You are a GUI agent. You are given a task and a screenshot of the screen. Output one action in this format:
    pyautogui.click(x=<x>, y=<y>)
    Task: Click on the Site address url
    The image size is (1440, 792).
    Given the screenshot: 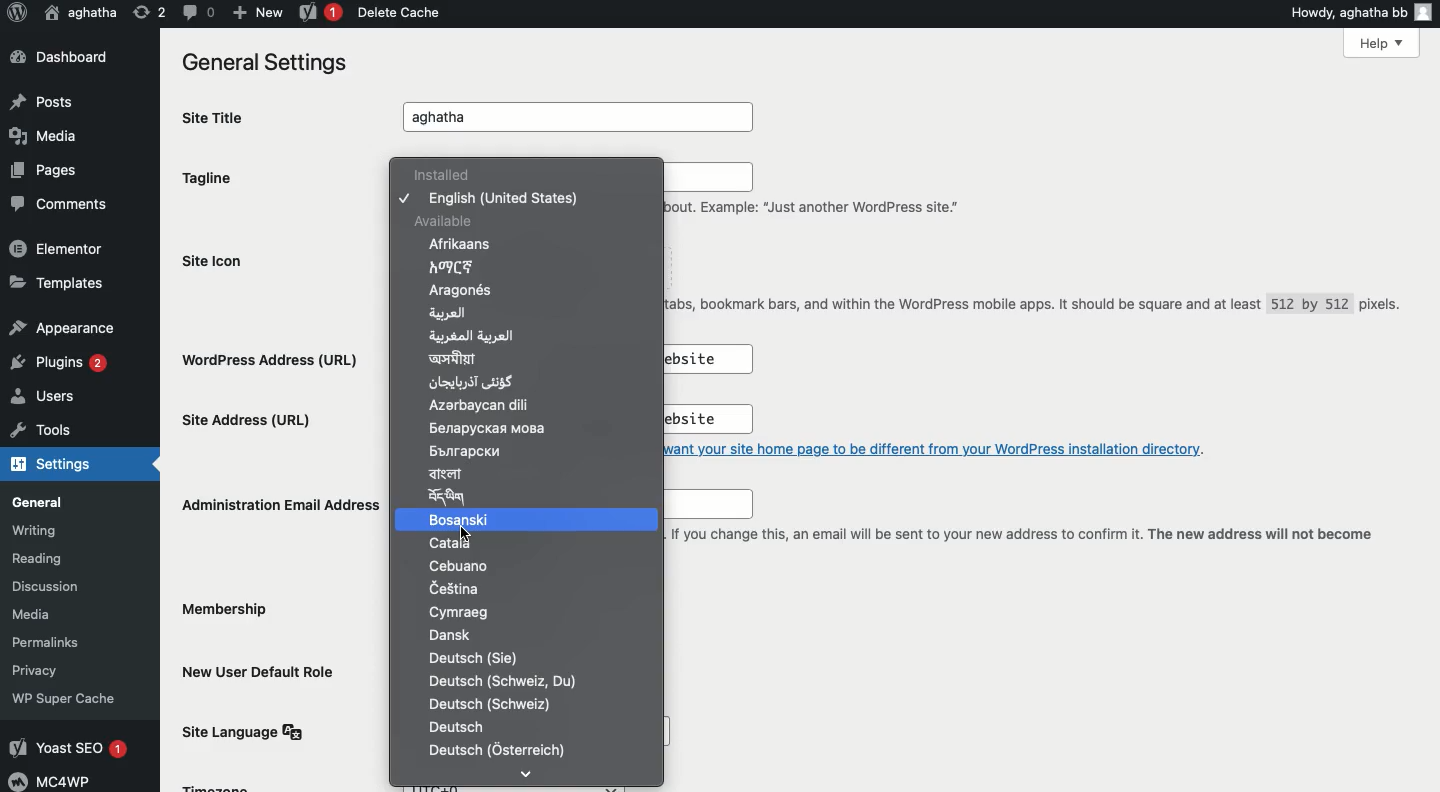 What is the action you would take?
    pyautogui.click(x=251, y=423)
    